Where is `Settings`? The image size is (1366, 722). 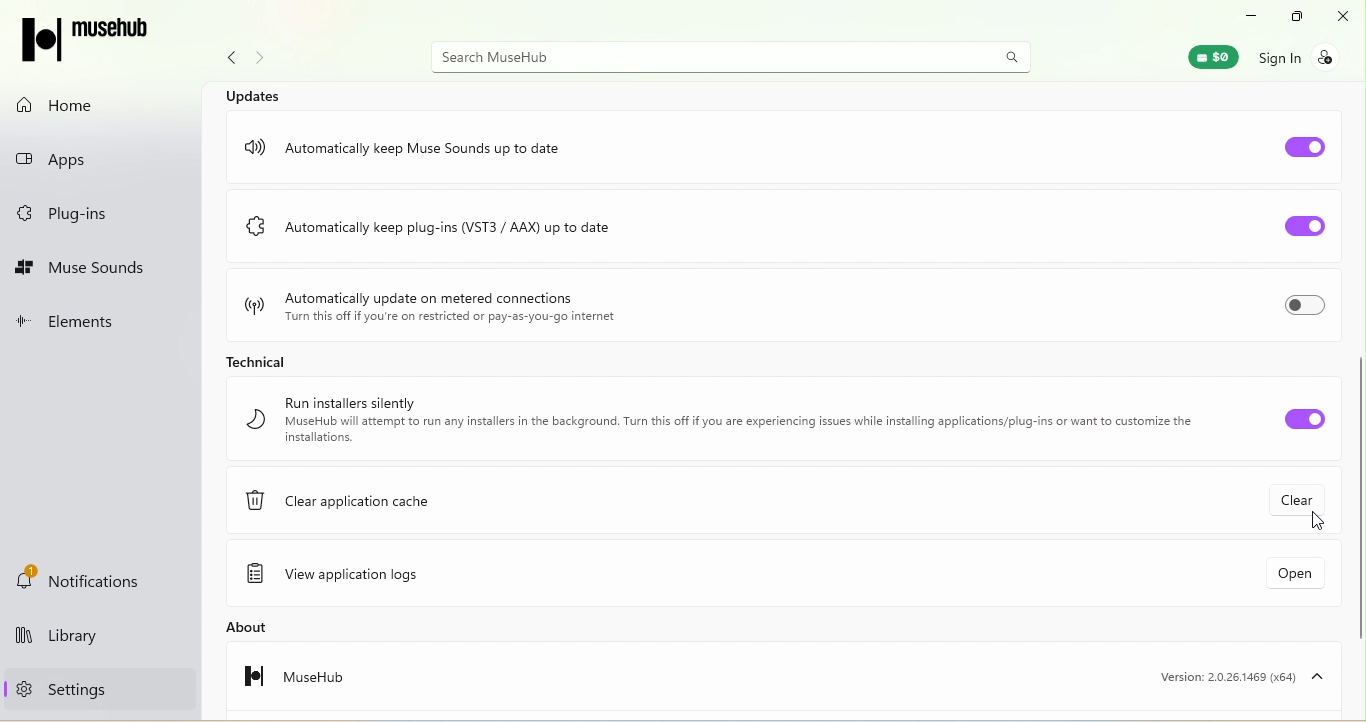 Settings is located at coordinates (56, 688).